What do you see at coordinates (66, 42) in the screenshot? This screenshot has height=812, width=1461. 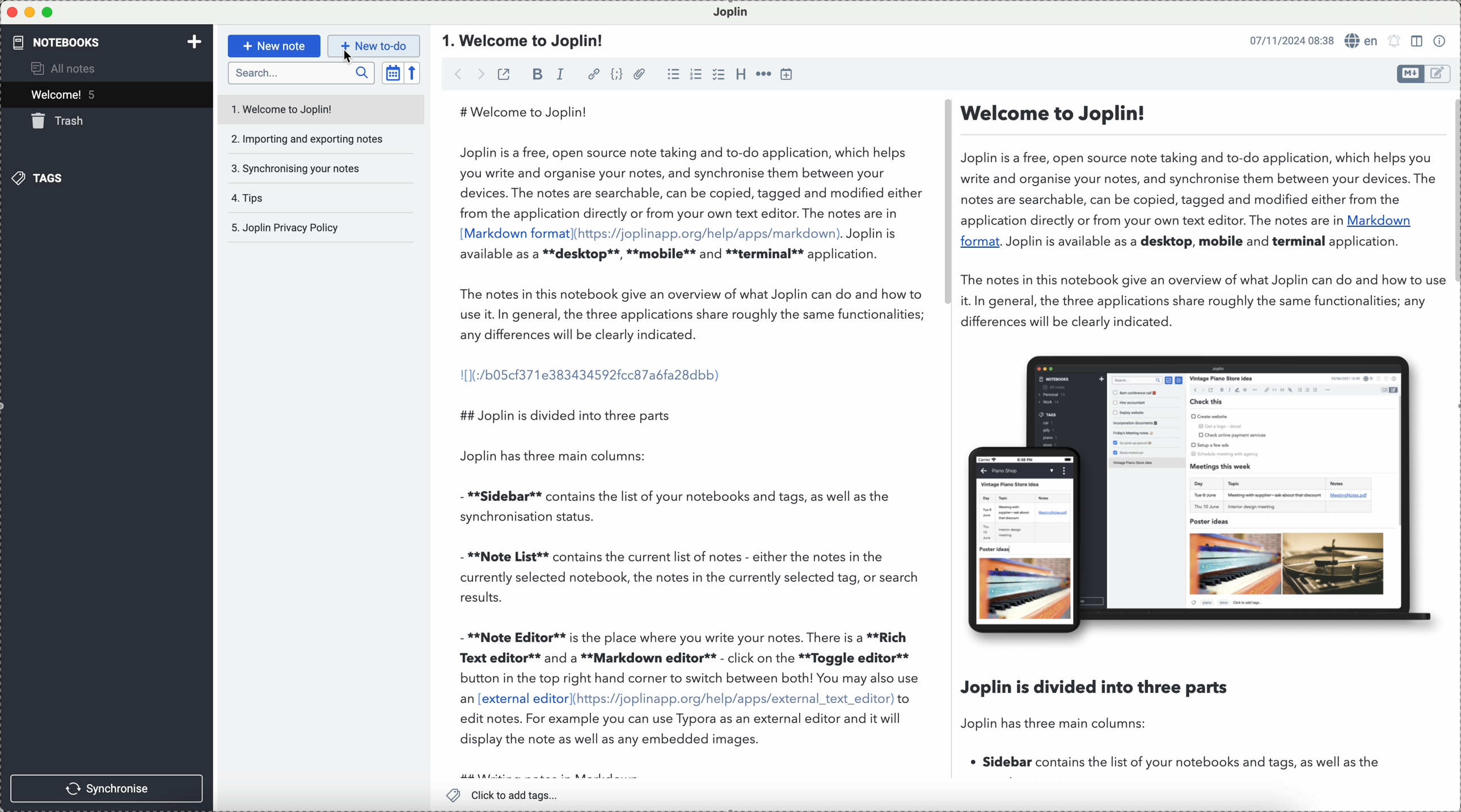 I see `notebooks tab` at bounding box center [66, 42].